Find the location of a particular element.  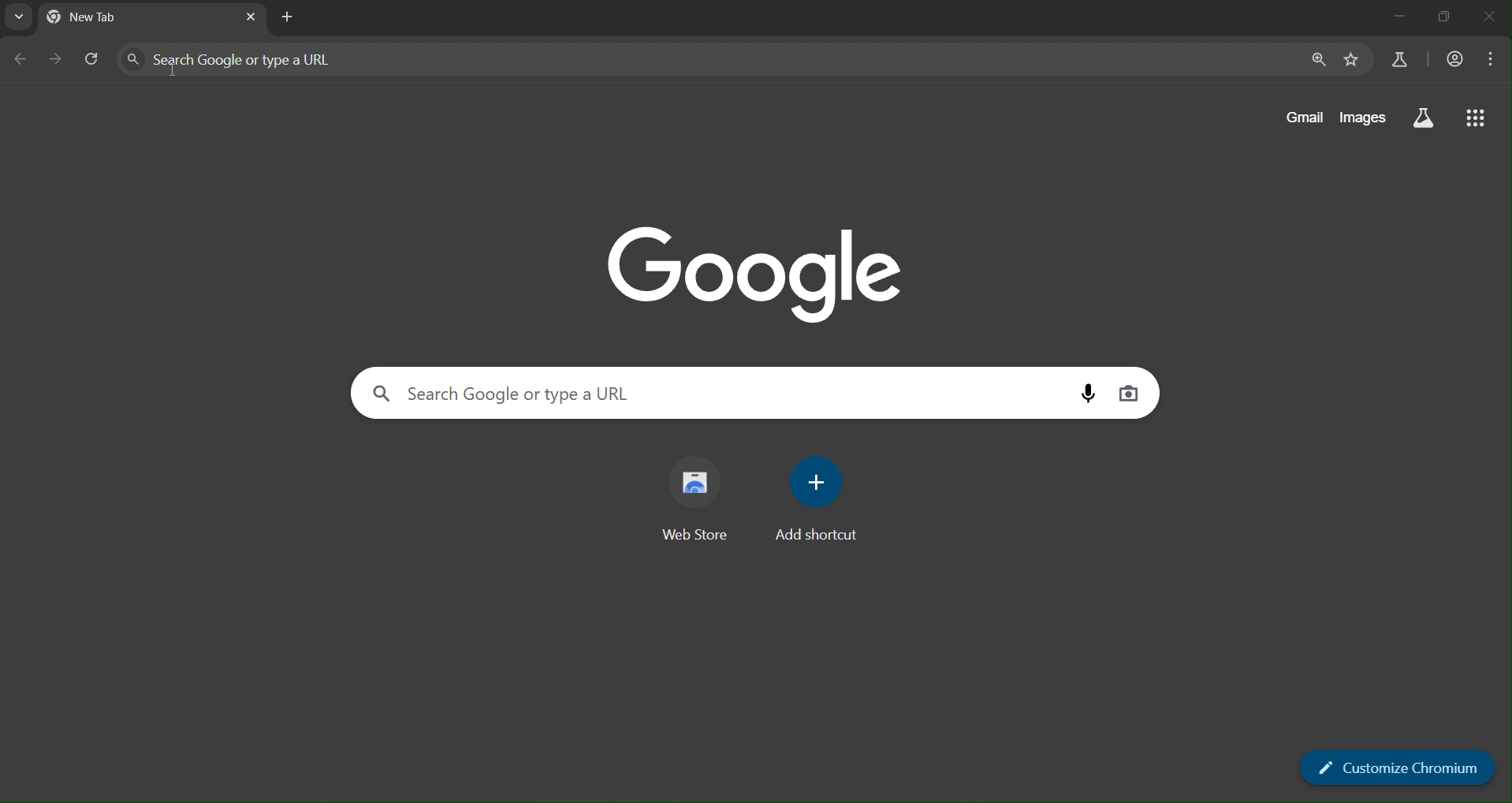

google apps is located at coordinates (1477, 119).